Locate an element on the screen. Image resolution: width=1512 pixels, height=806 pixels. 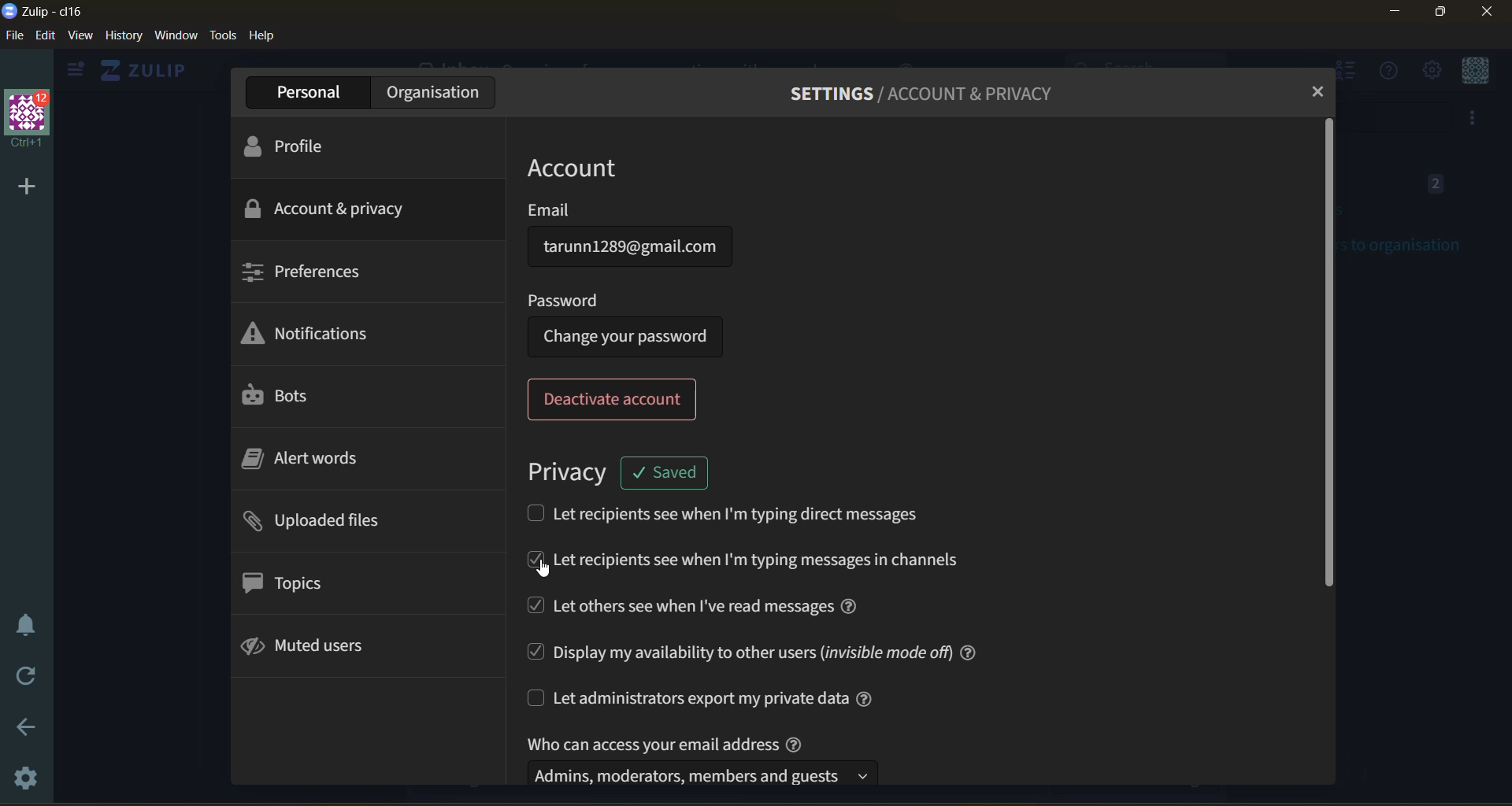
ZULIP is located at coordinates (150, 71).